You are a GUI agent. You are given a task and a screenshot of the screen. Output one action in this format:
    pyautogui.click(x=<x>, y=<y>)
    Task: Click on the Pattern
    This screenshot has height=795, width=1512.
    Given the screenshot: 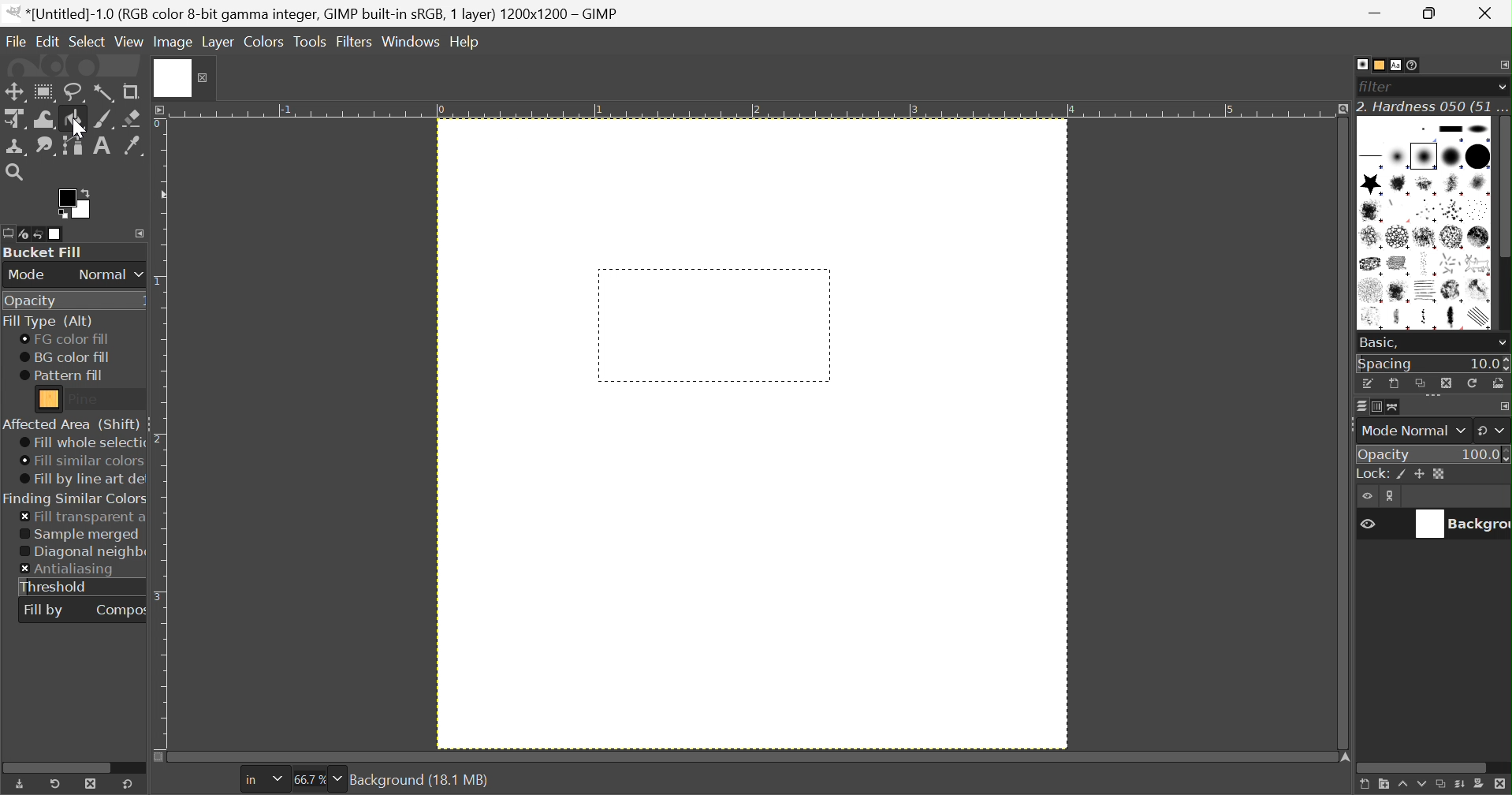 What is the action you would take?
    pyautogui.click(x=50, y=399)
    